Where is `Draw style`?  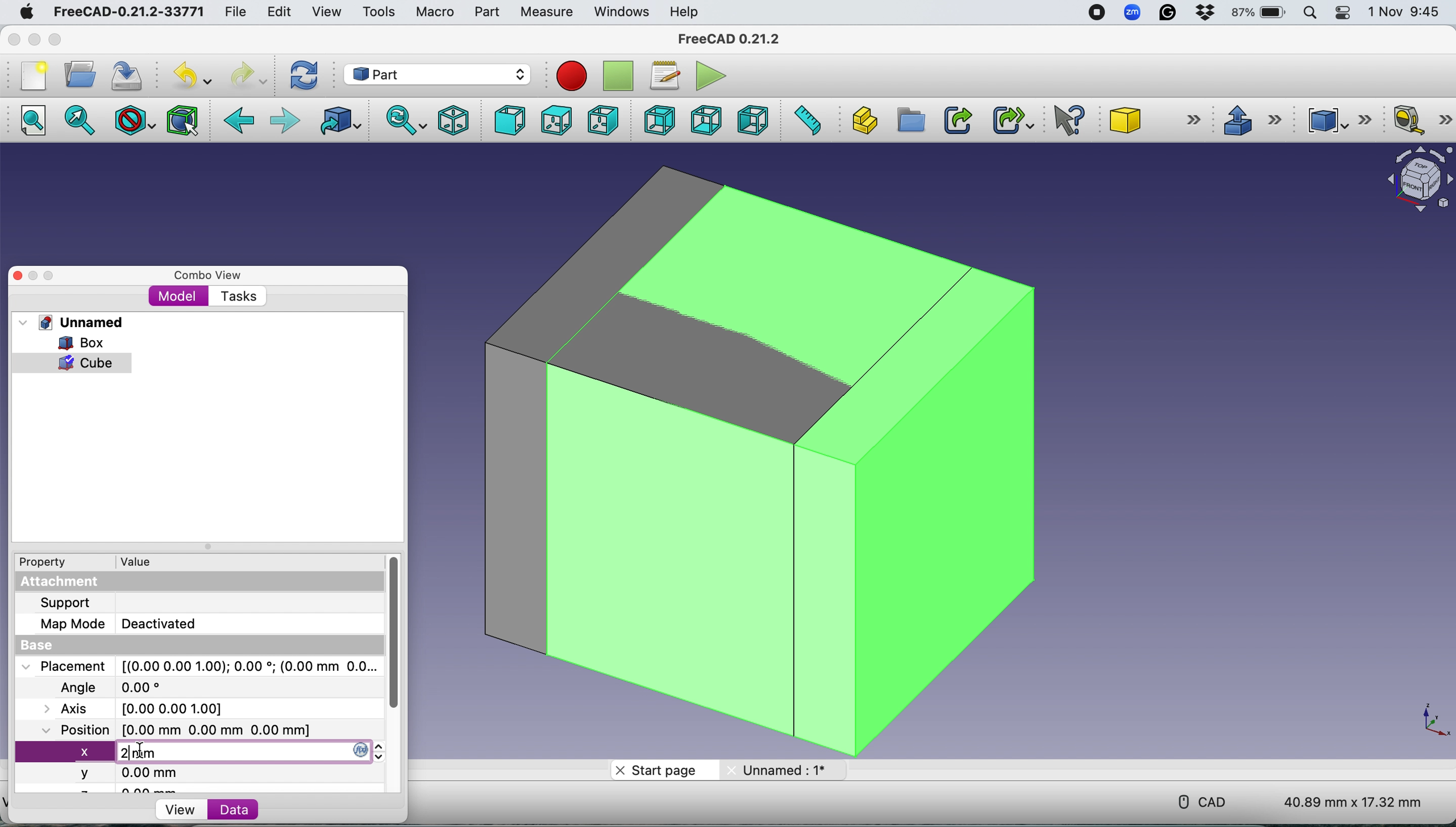
Draw style is located at coordinates (136, 120).